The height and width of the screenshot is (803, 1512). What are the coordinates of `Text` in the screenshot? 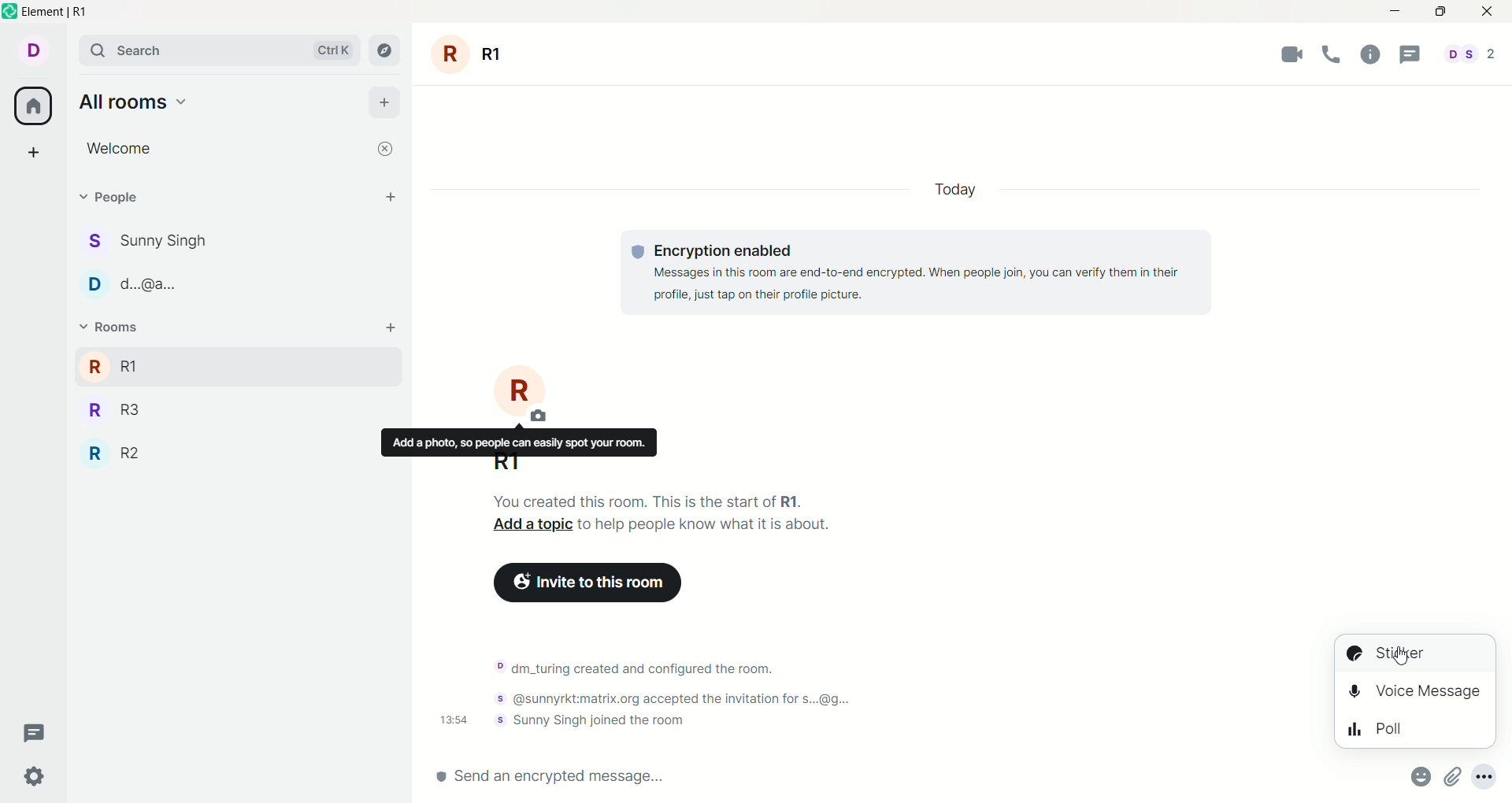 It's located at (706, 524).